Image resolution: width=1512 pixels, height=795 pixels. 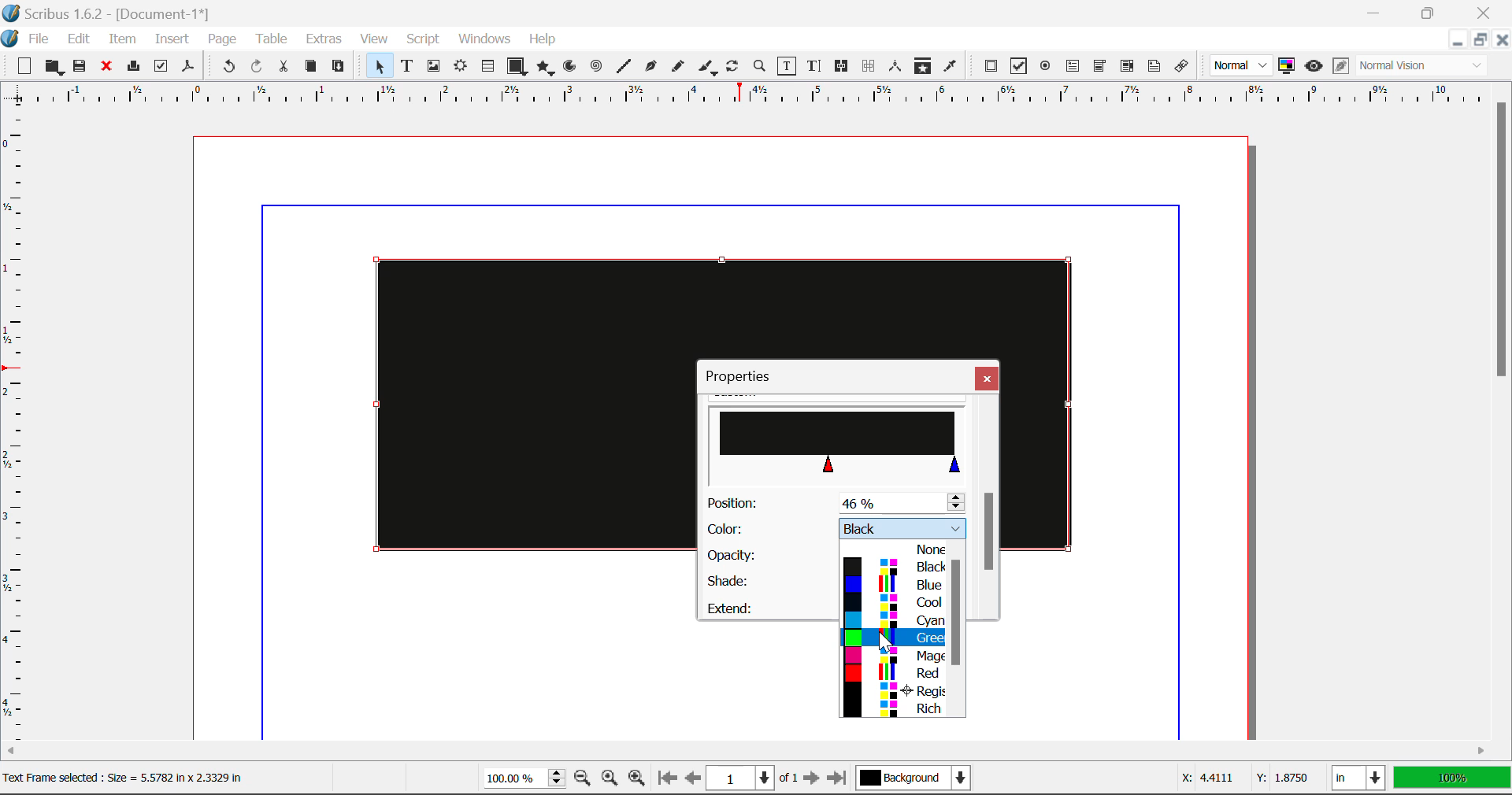 What do you see at coordinates (228, 68) in the screenshot?
I see `Undo` at bounding box center [228, 68].